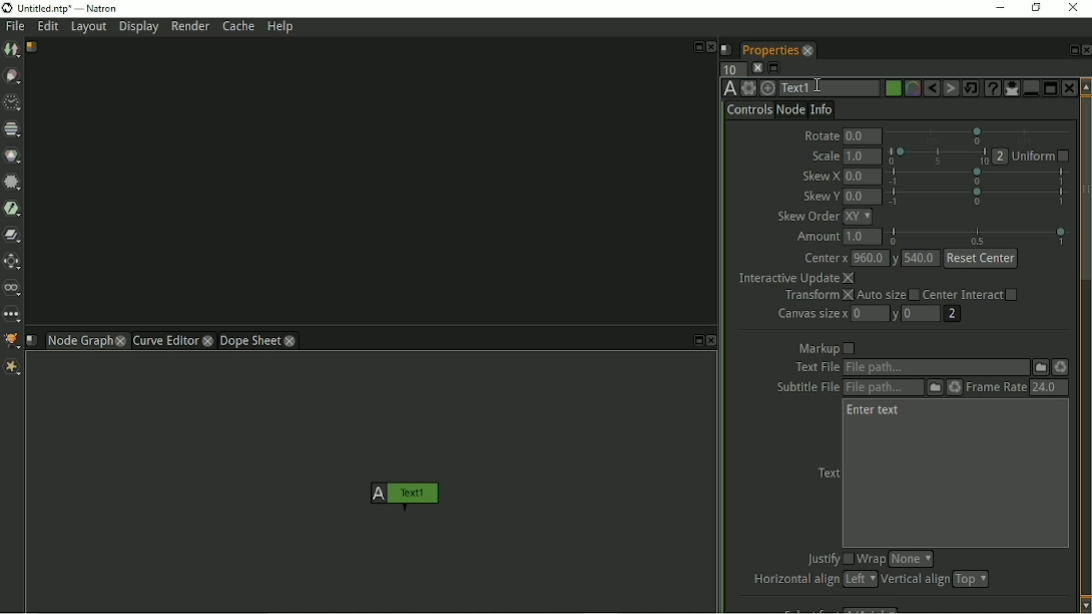 Image resolution: width=1092 pixels, height=614 pixels. Describe the element at coordinates (49, 28) in the screenshot. I see `Edit` at that location.